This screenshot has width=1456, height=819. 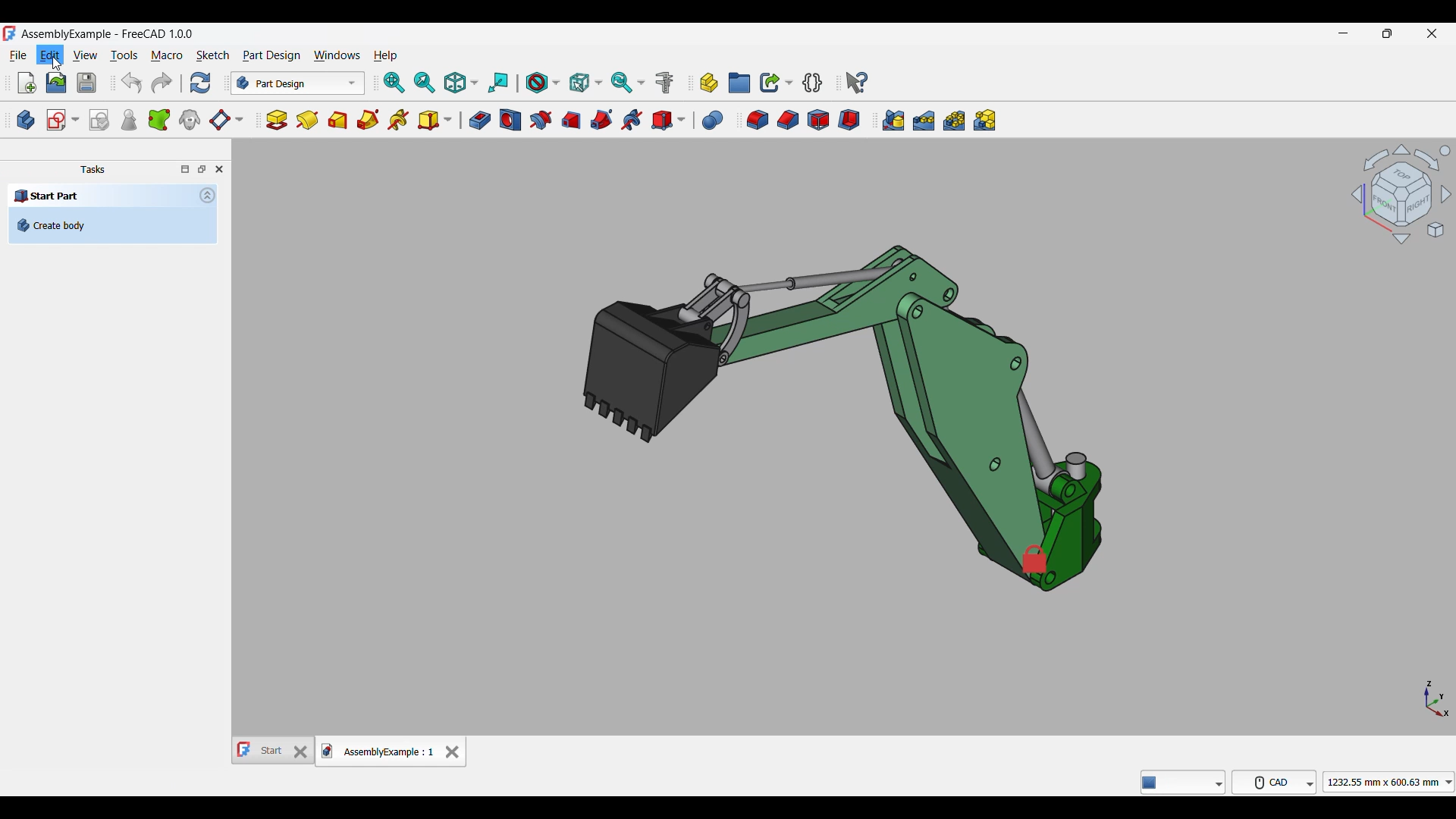 I want to click on Current image on canvas, so click(x=839, y=406).